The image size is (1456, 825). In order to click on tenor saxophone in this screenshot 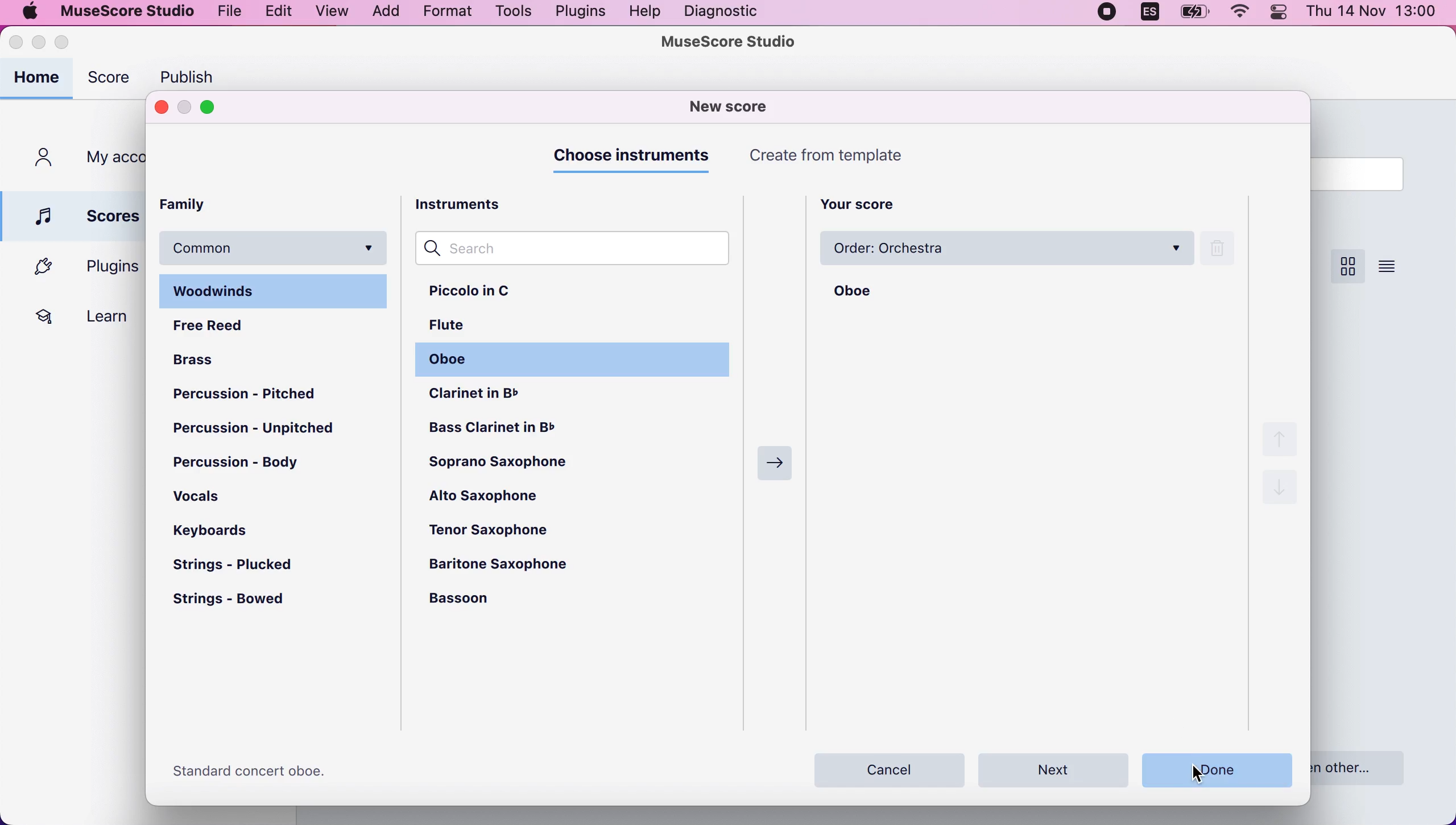, I will do `click(506, 529)`.